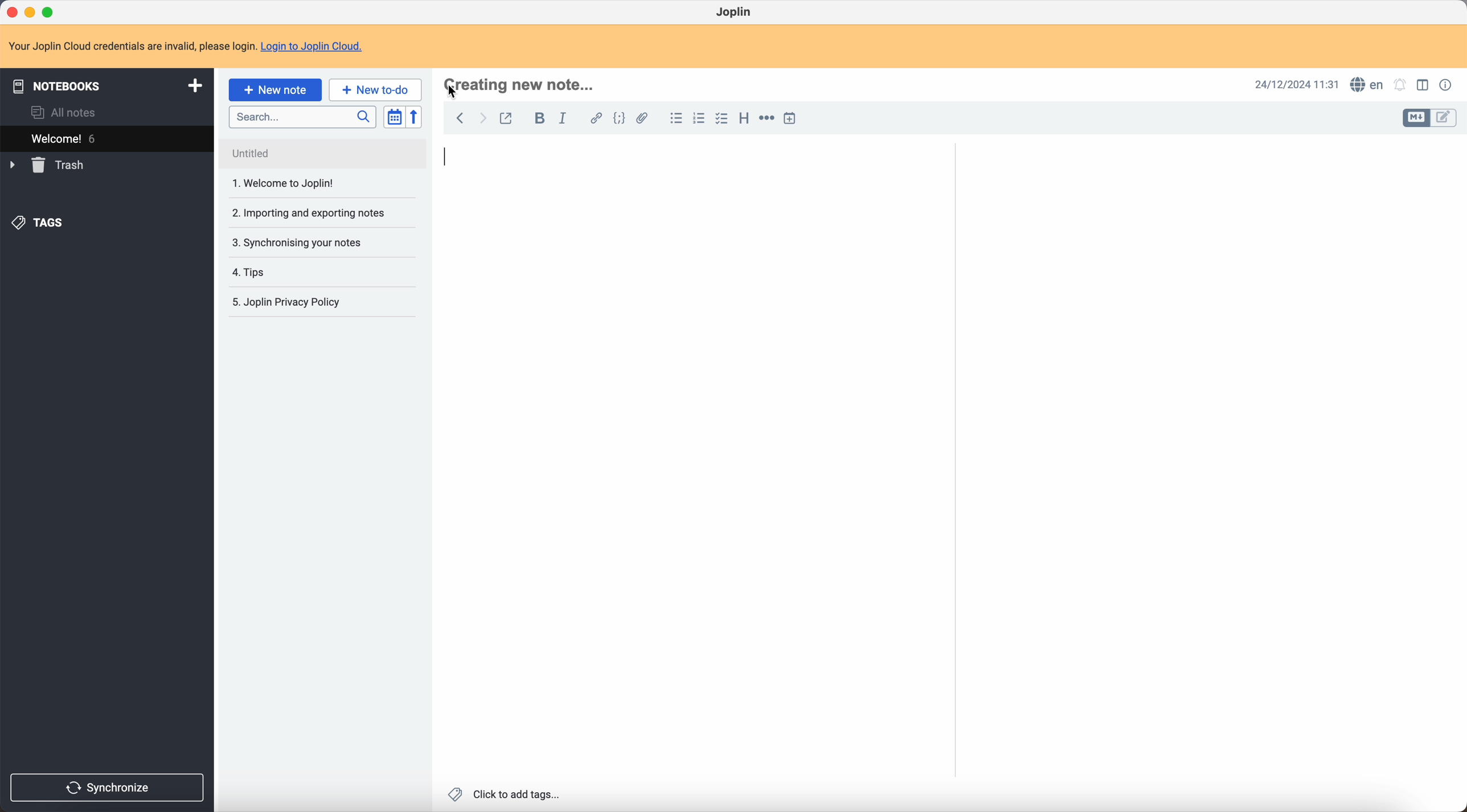 The image size is (1467, 812). What do you see at coordinates (294, 303) in the screenshot?
I see `5. Joplin Privacy Policy` at bounding box center [294, 303].